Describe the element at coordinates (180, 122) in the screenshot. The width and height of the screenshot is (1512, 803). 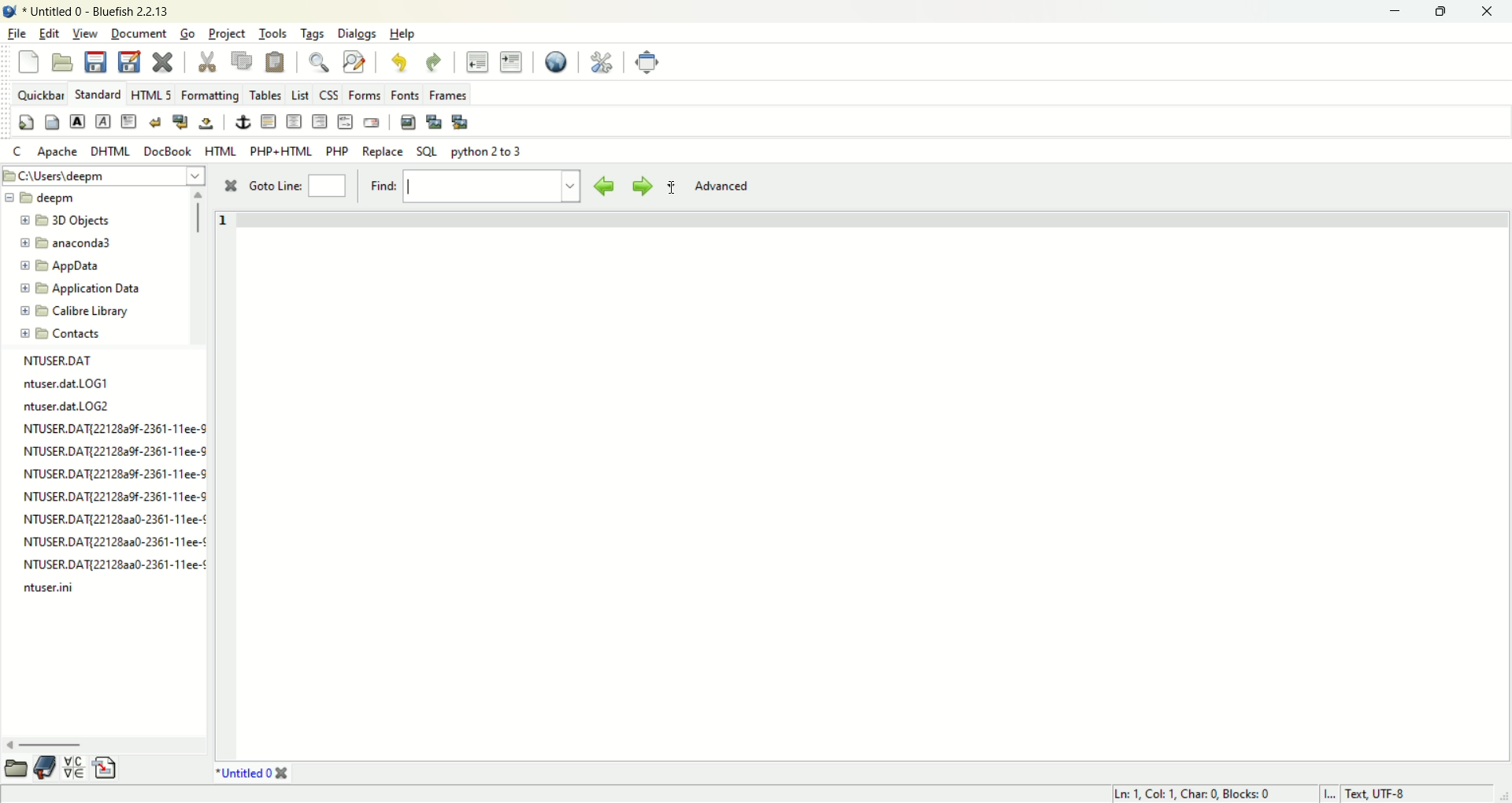
I see `break and clear` at that location.